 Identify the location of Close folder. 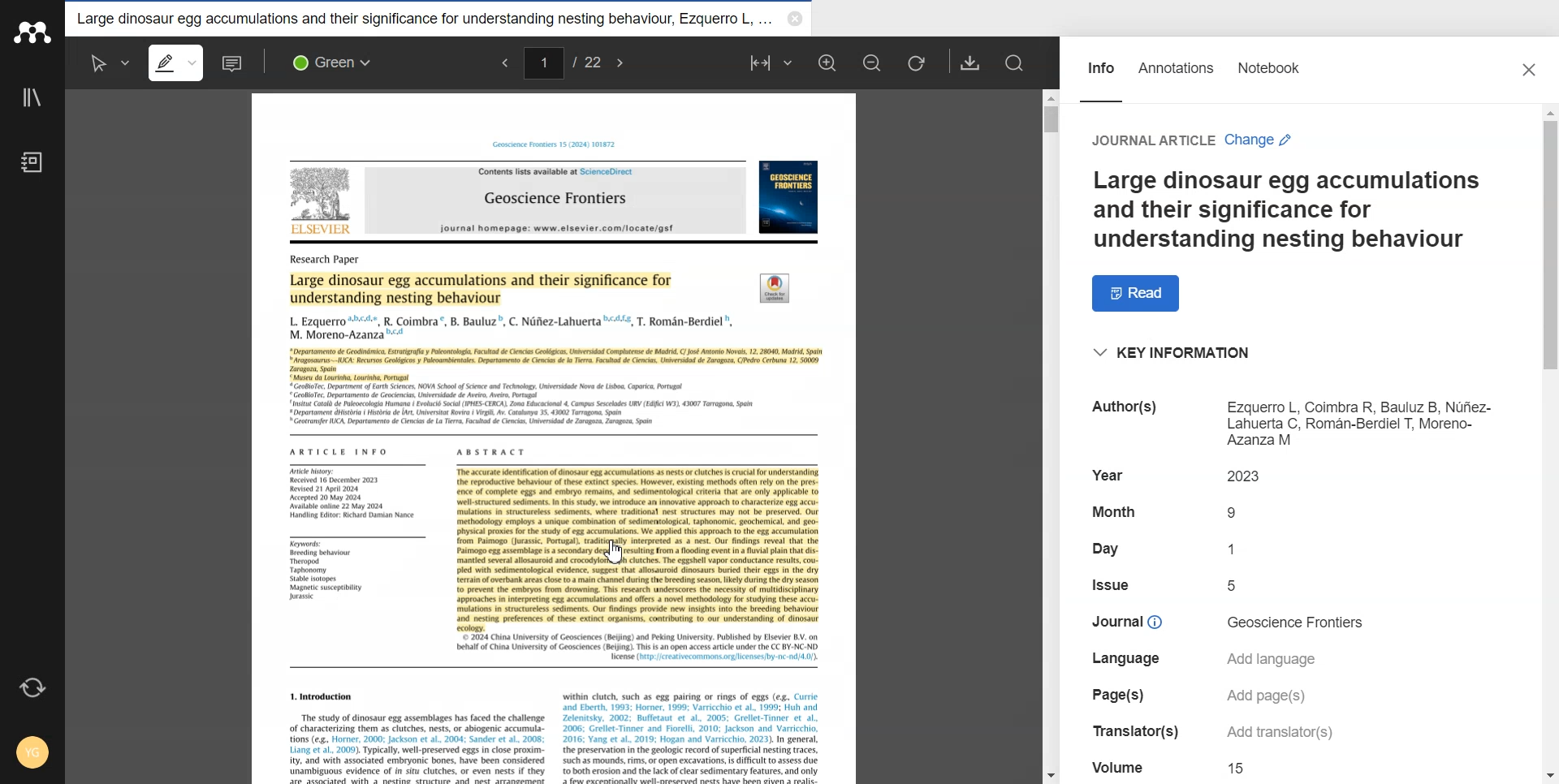
(795, 20).